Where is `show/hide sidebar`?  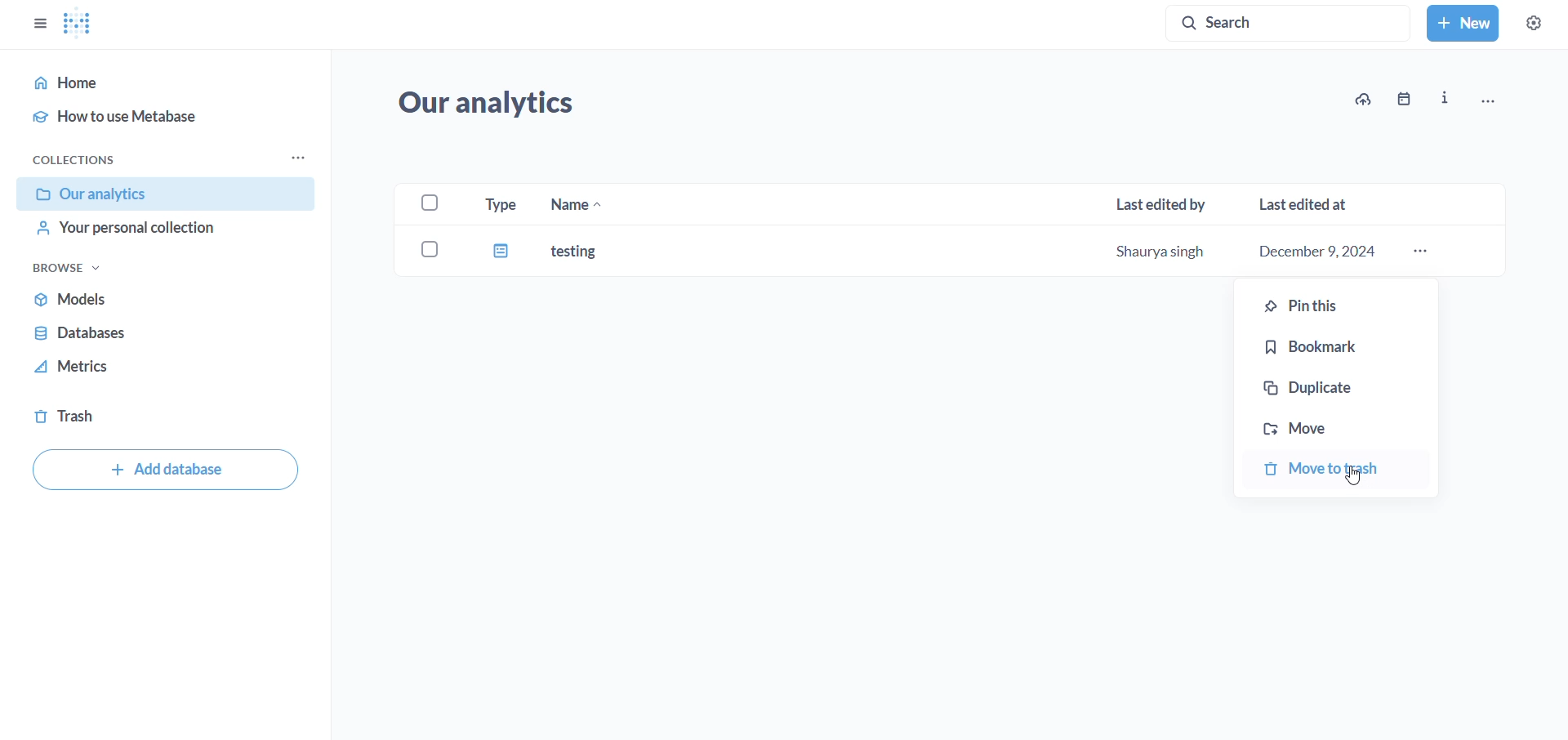 show/hide sidebar is located at coordinates (36, 22).